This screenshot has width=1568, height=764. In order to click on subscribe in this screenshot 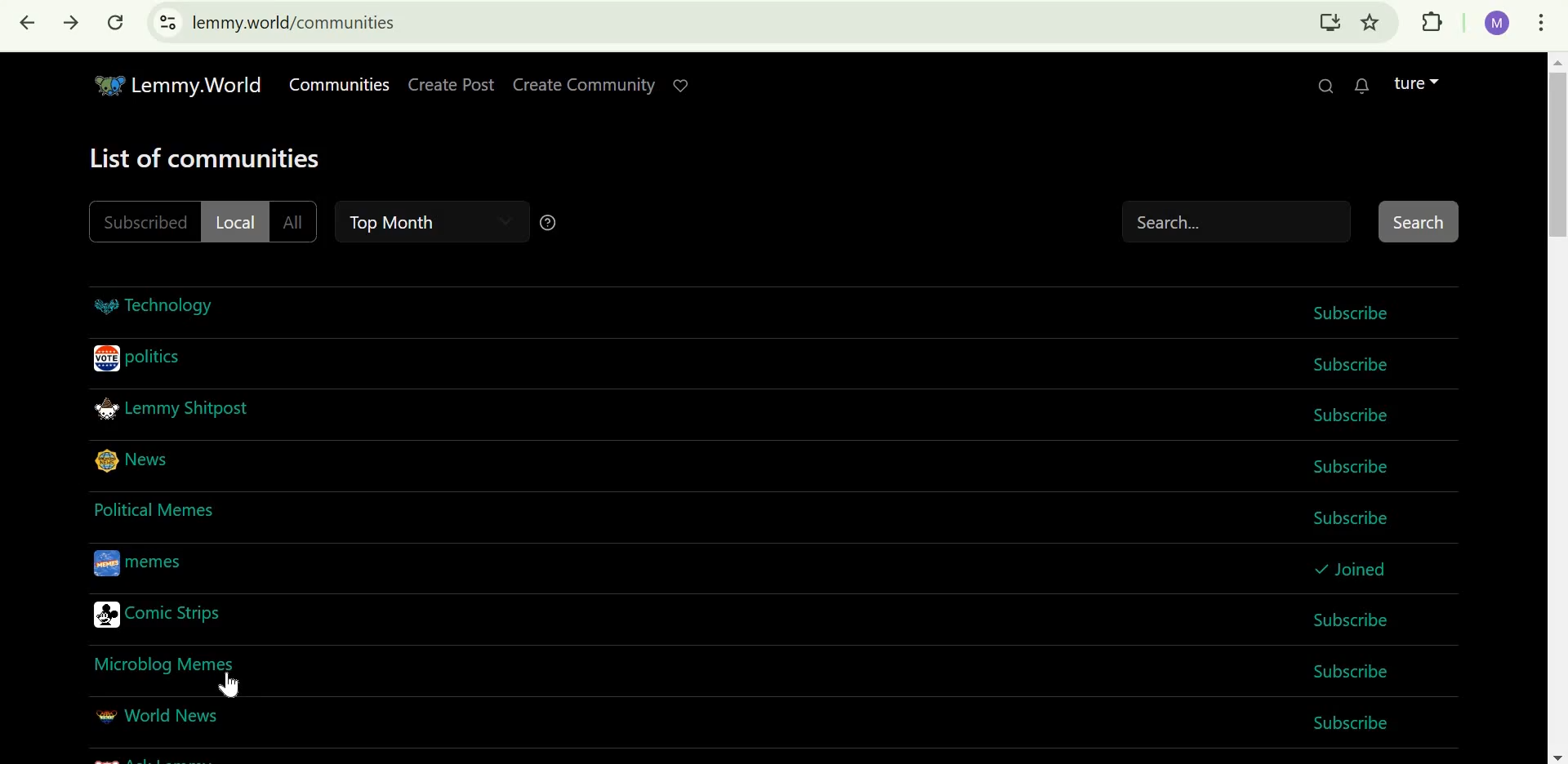, I will do `click(1352, 465)`.